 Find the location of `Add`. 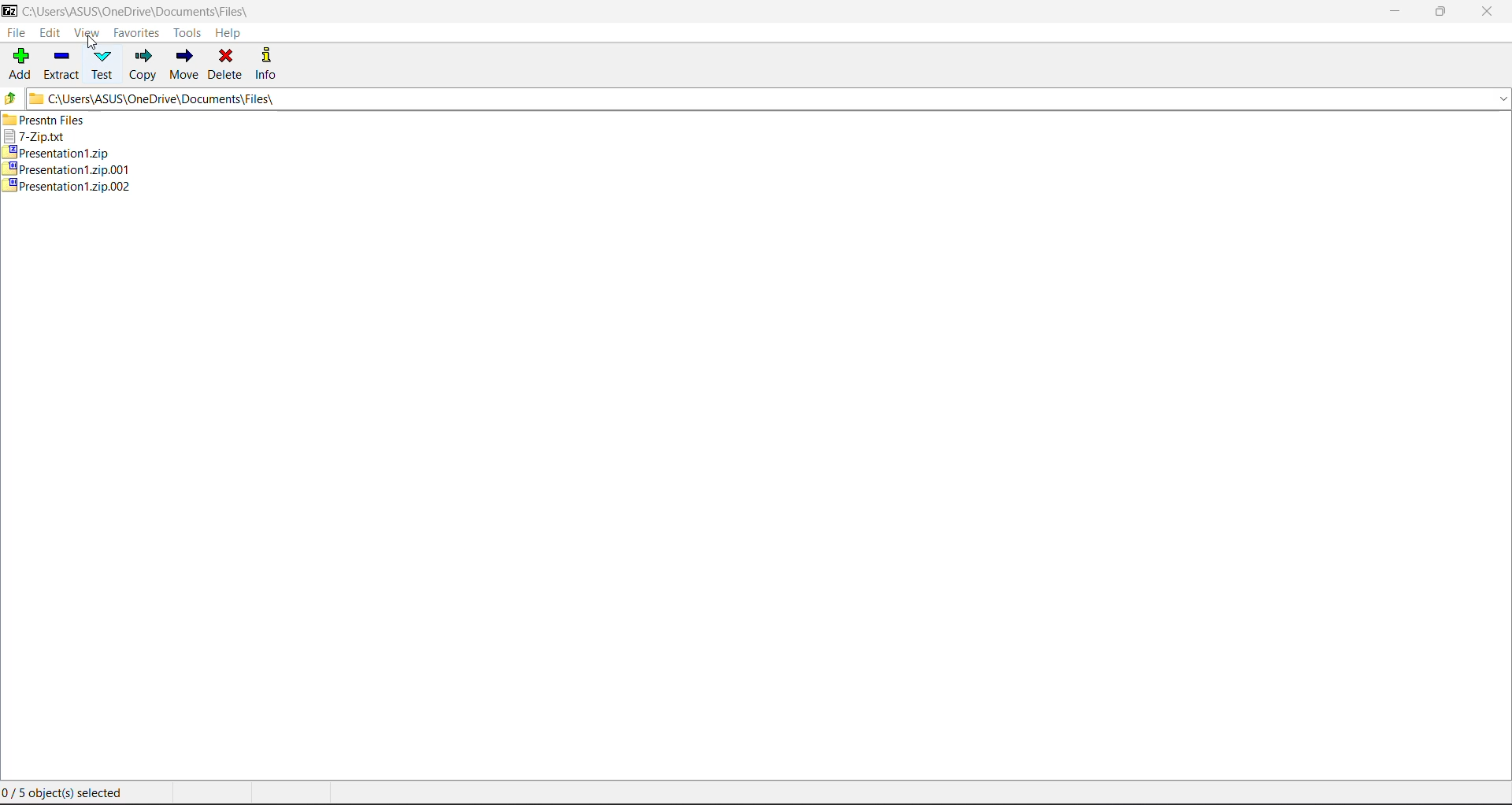

Add is located at coordinates (19, 65).